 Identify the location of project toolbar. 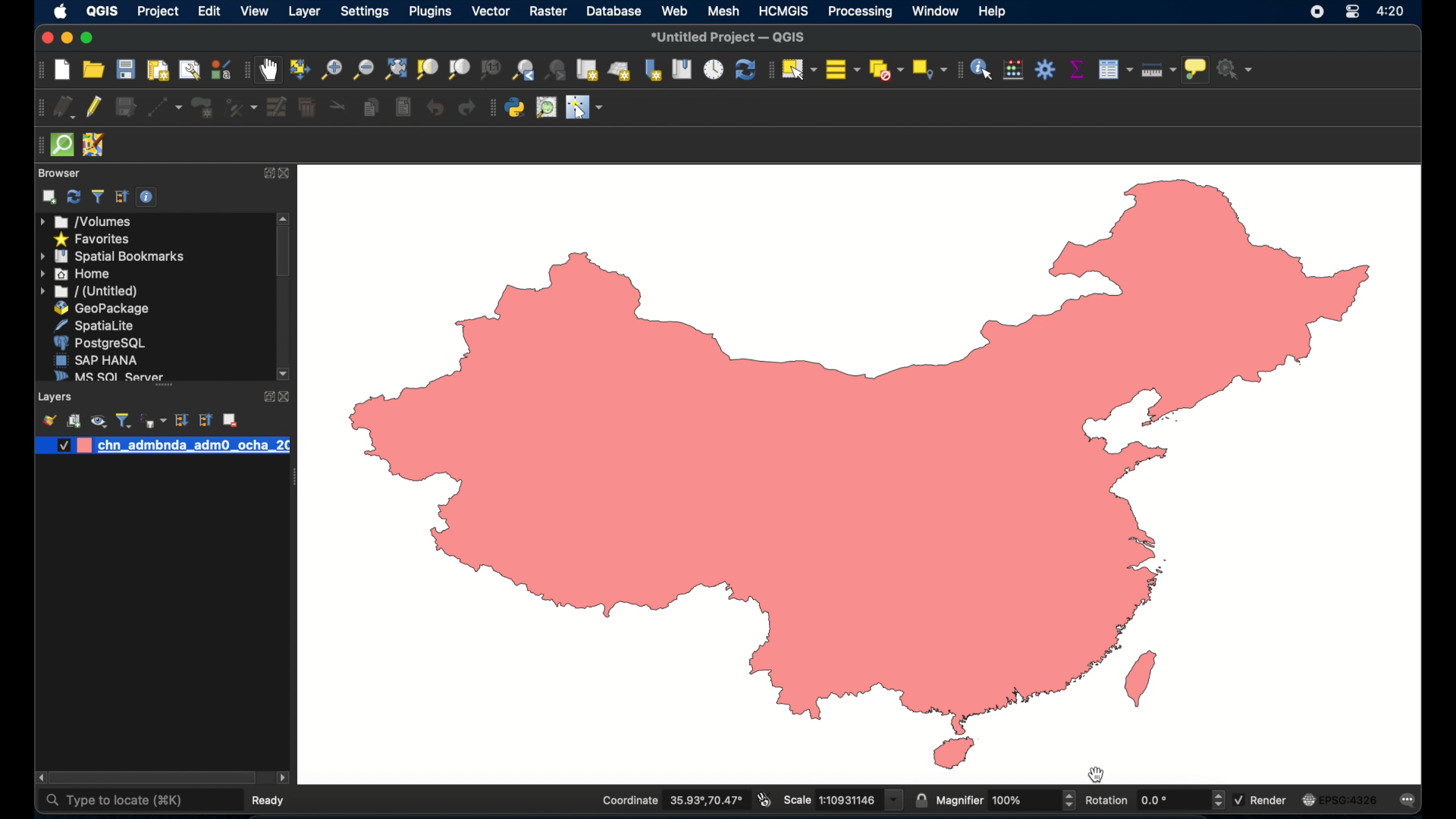
(39, 70).